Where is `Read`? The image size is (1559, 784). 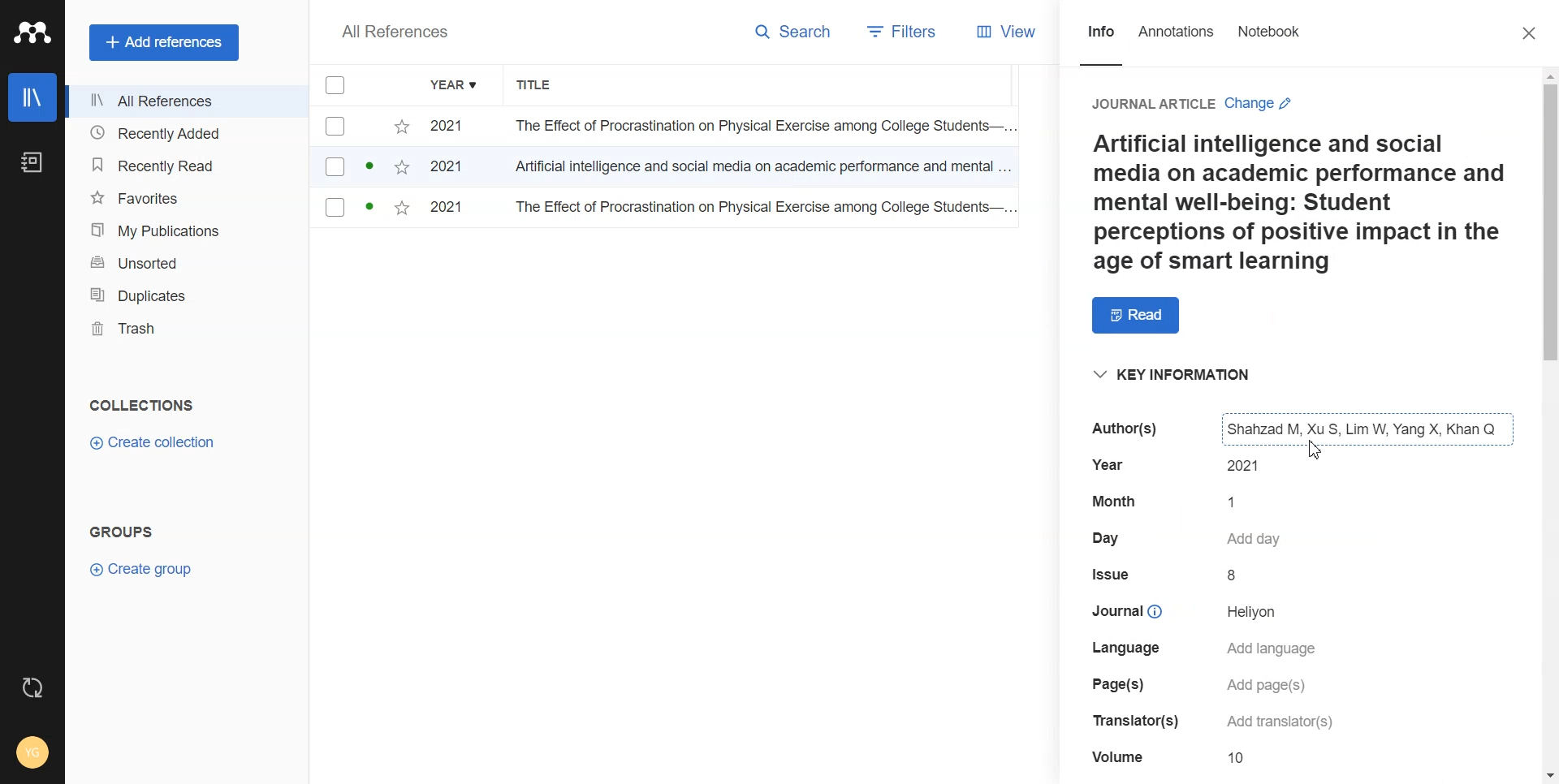 Read is located at coordinates (1137, 315).